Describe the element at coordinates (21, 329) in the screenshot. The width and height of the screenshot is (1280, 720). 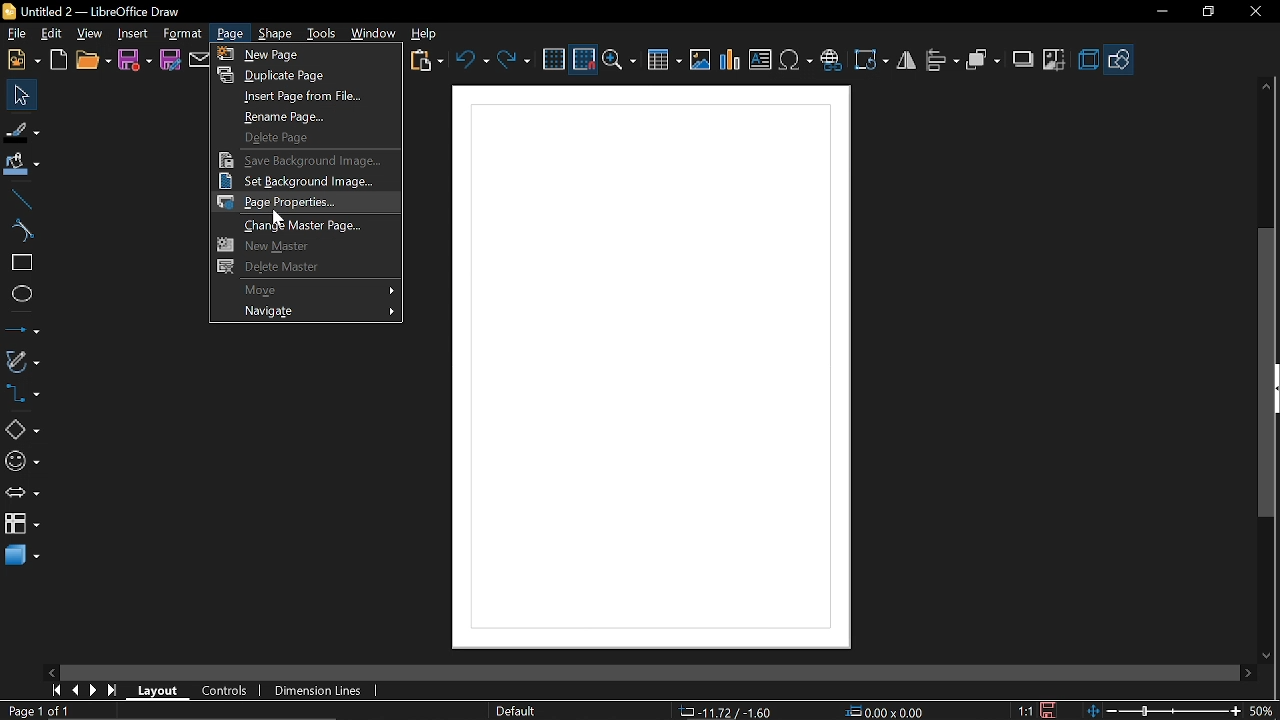
I see `Lines and arrows` at that location.